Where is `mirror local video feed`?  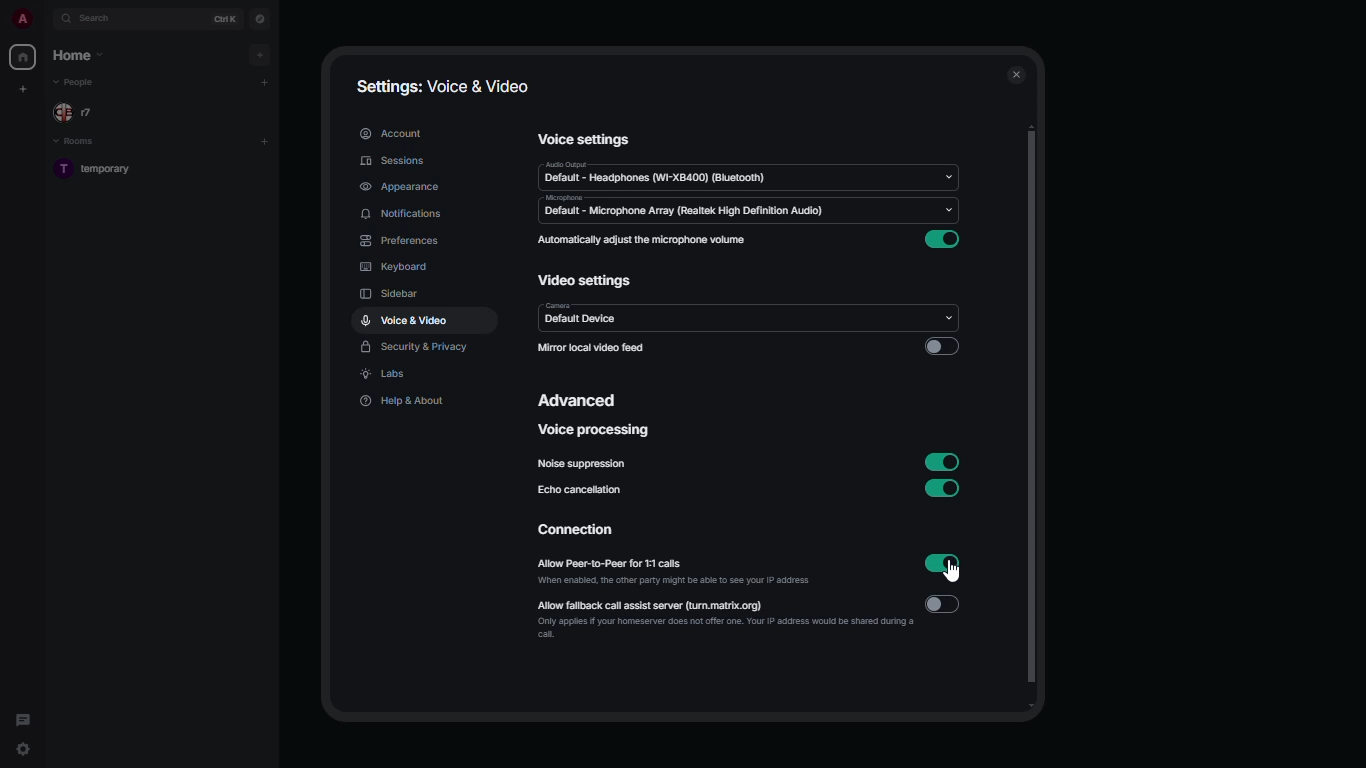 mirror local video feed is located at coordinates (595, 347).